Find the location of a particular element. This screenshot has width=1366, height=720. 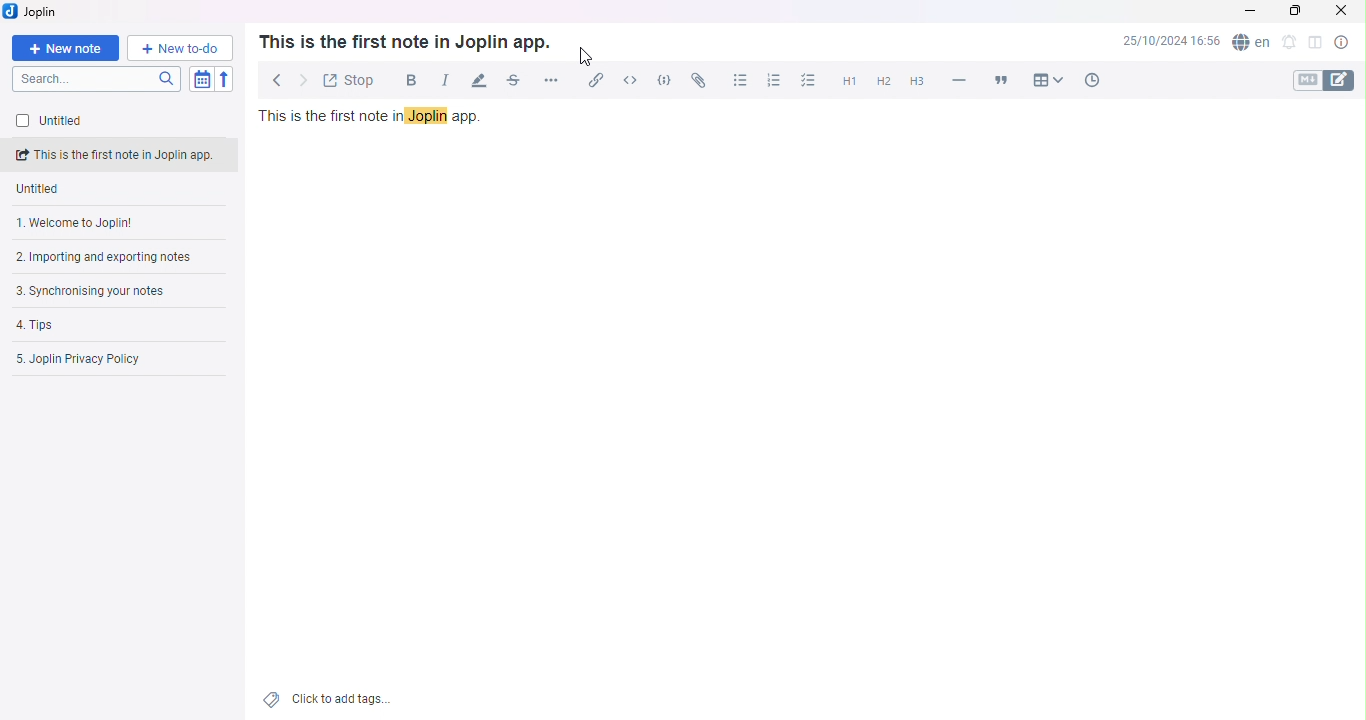

Attach file is located at coordinates (698, 79).